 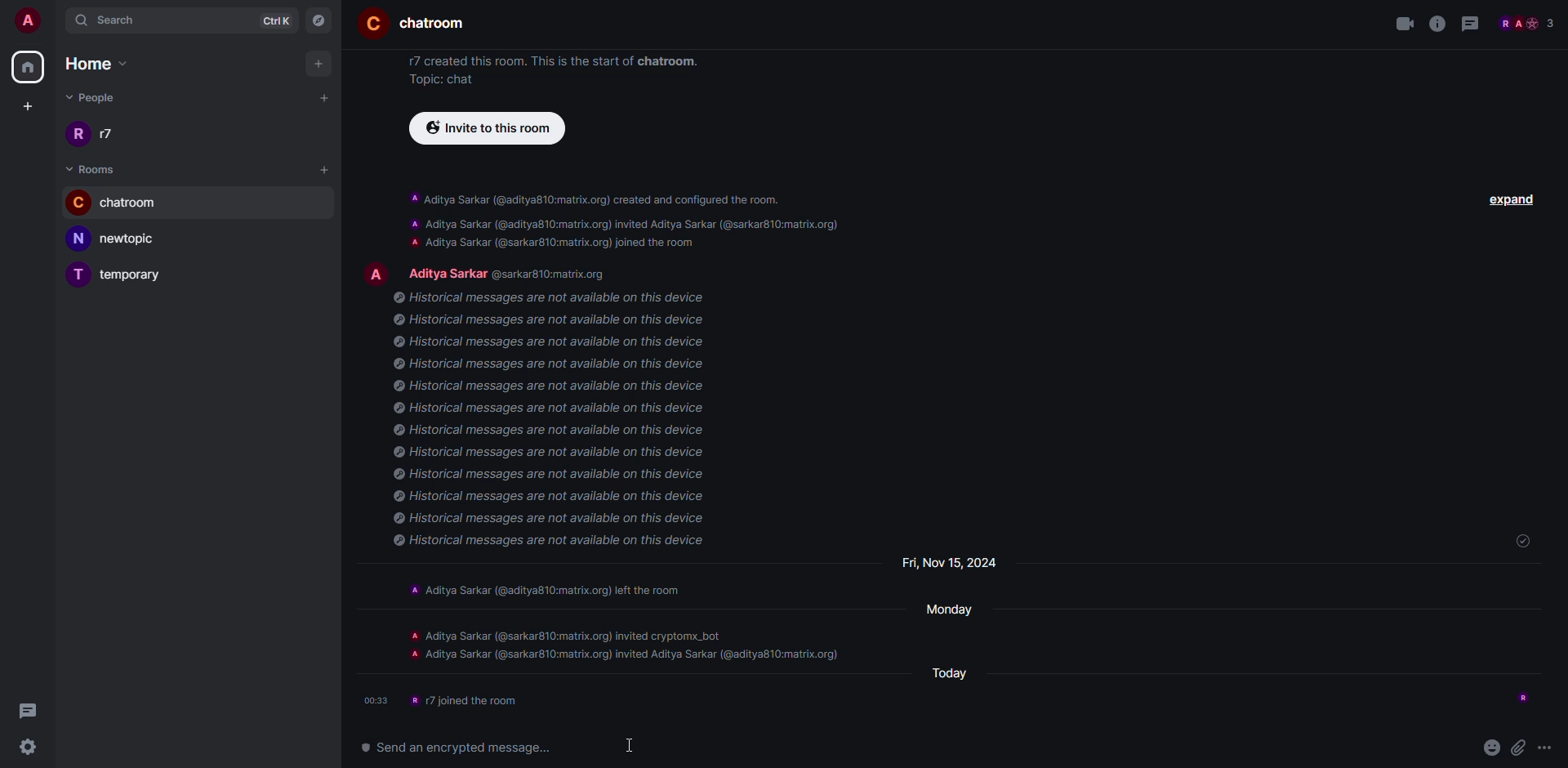 I want to click on new topic, so click(x=121, y=238).